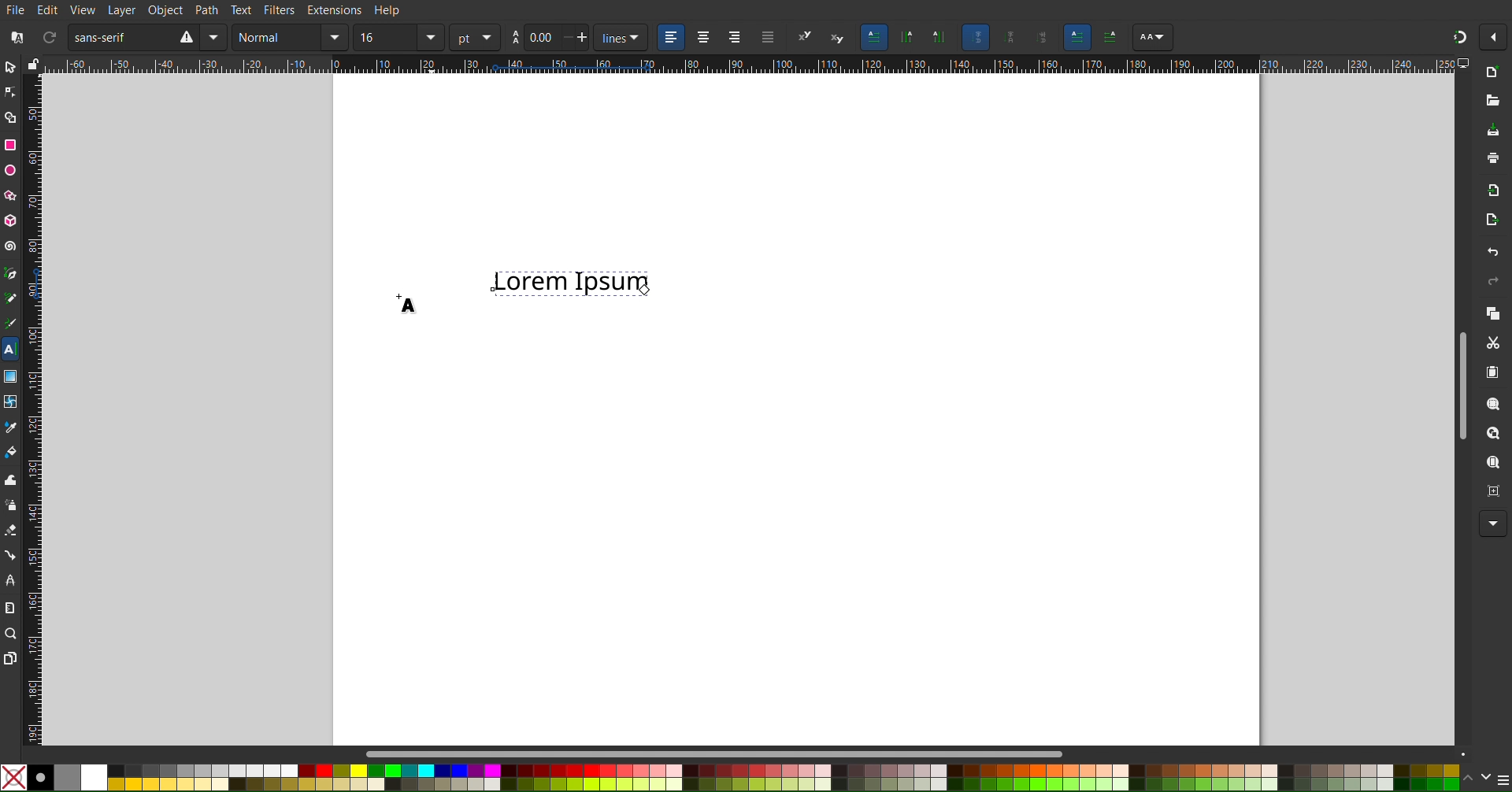 The width and height of the screenshot is (1512, 792). What do you see at coordinates (10, 376) in the screenshot?
I see `Gradient Tool` at bounding box center [10, 376].